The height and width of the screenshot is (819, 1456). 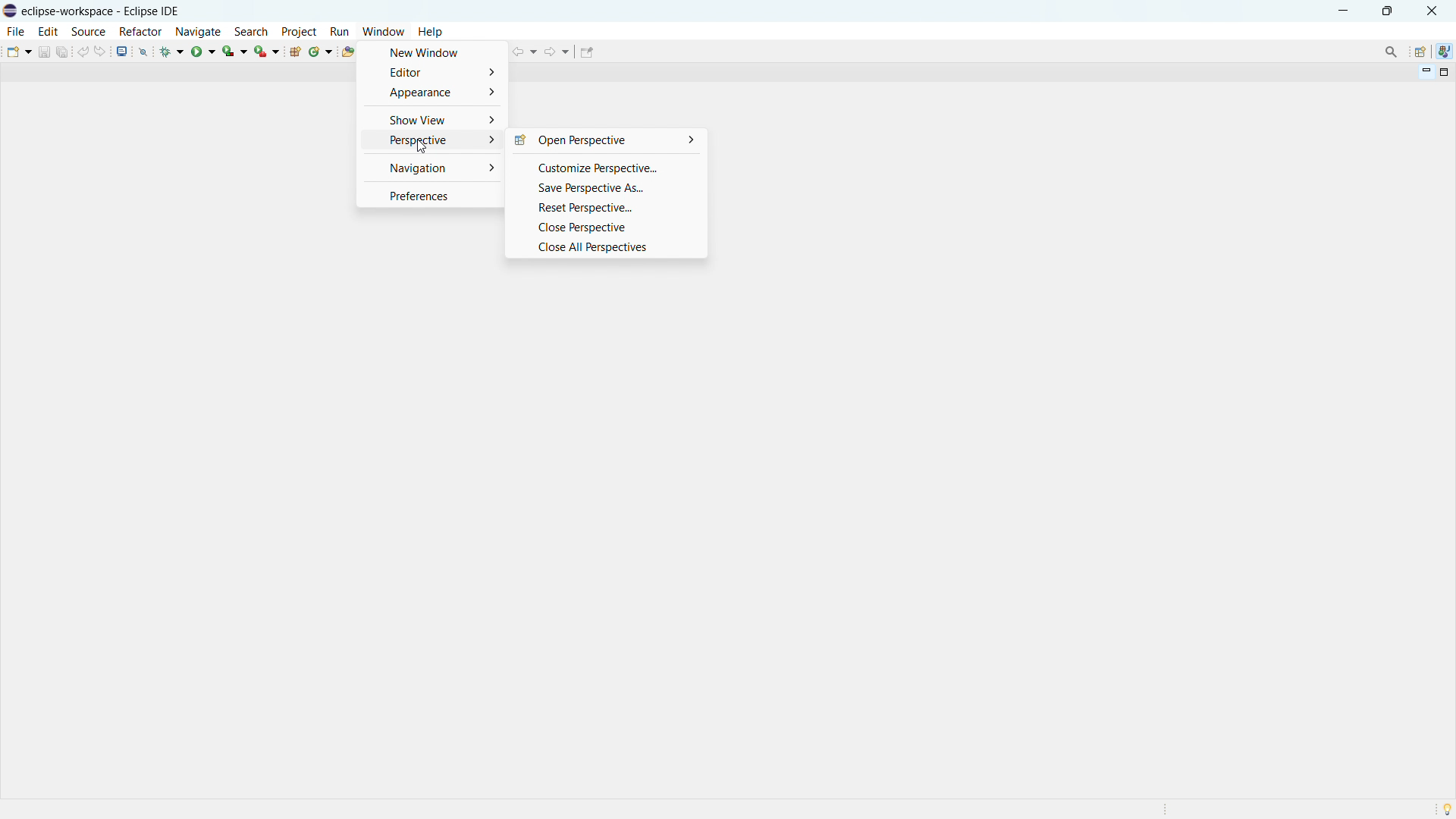 What do you see at coordinates (525, 52) in the screenshot?
I see `back` at bounding box center [525, 52].